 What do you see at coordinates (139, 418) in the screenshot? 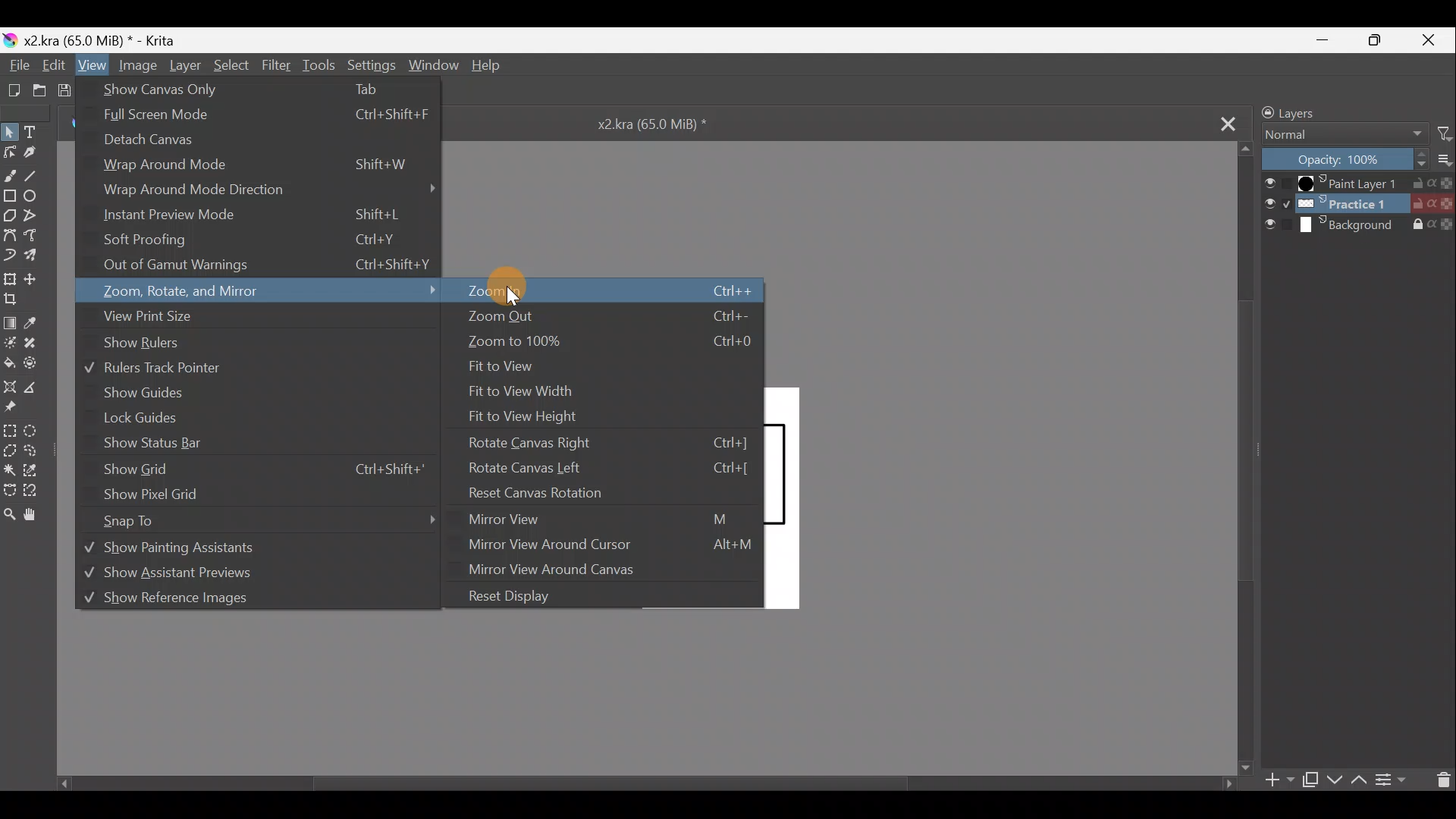
I see `Lock guides` at bounding box center [139, 418].